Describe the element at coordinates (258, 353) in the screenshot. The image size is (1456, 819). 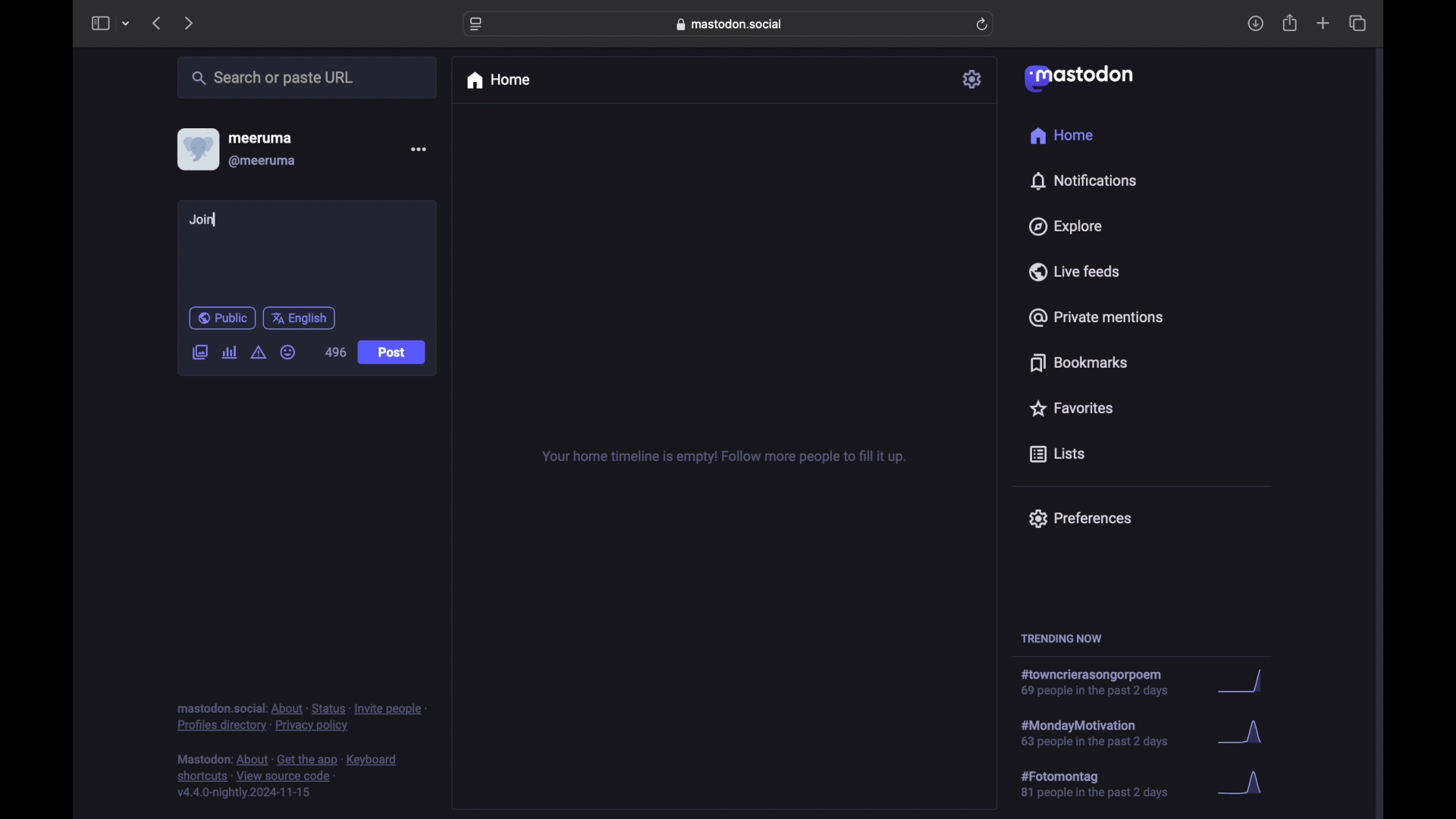
I see `add content warning` at that location.